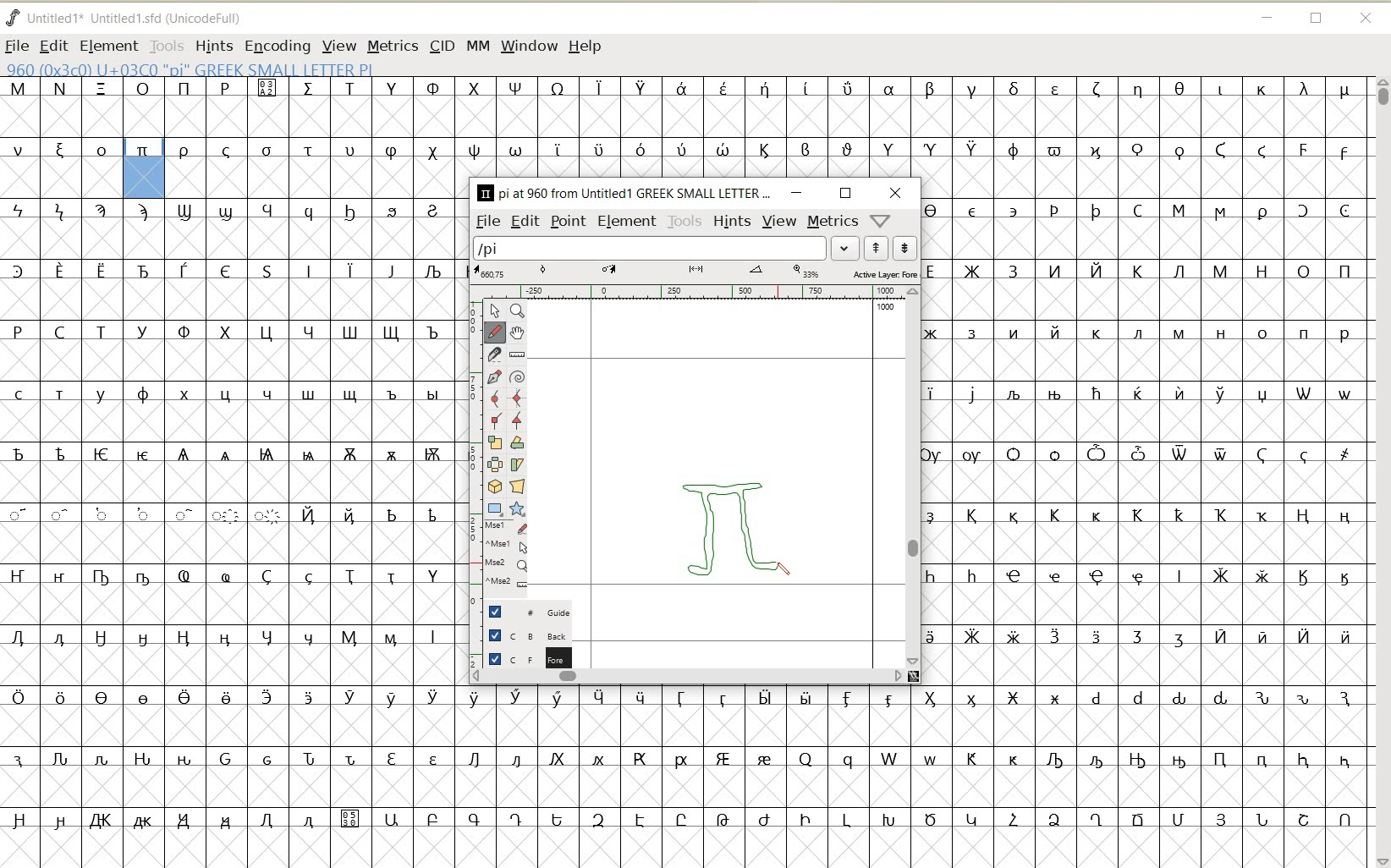  What do you see at coordinates (494, 509) in the screenshot?
I see `rectangle or ellipse` at bounding box center [494, 509].